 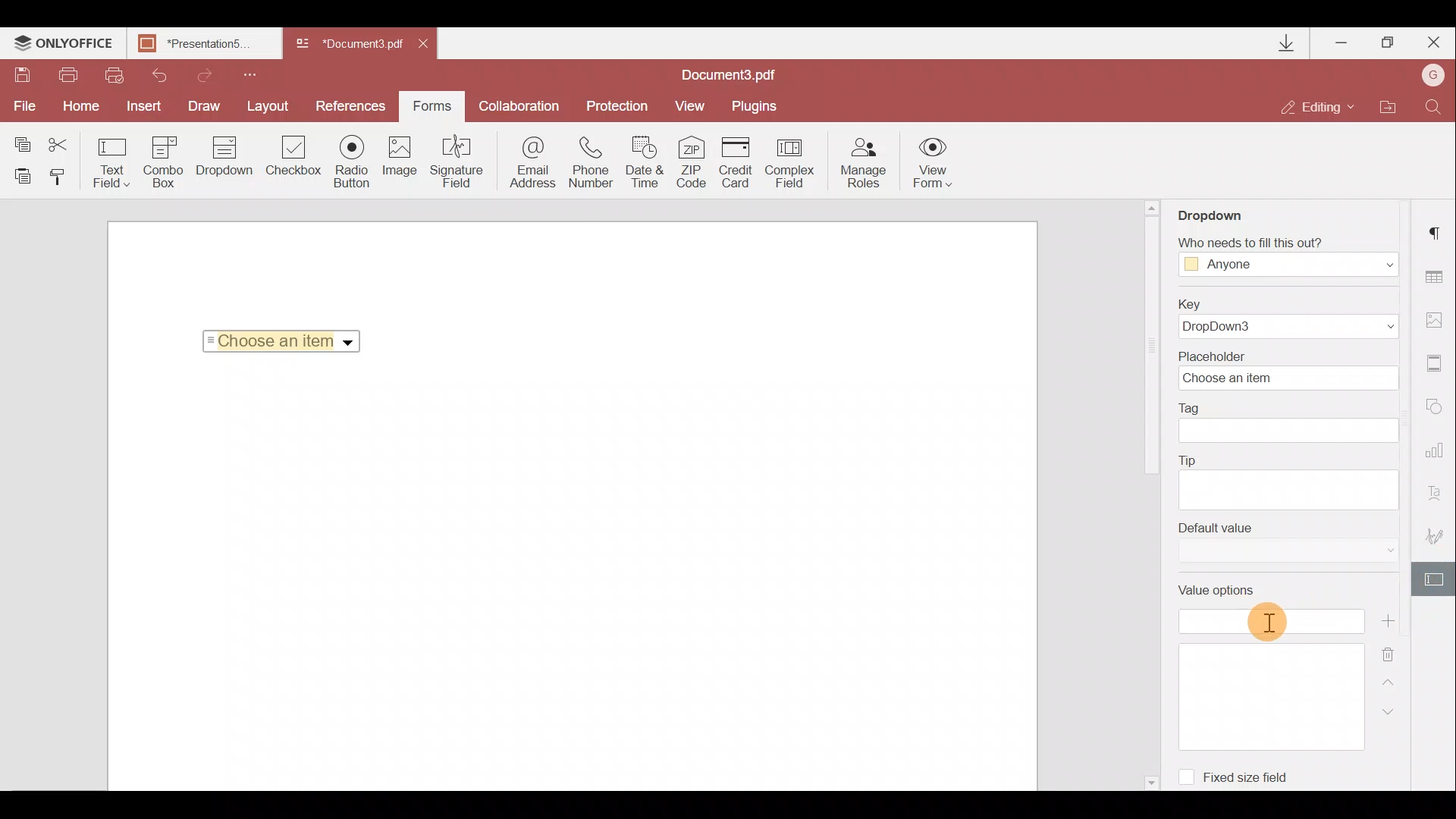 I want to click on Dropdown, so click(x=350, y=343).